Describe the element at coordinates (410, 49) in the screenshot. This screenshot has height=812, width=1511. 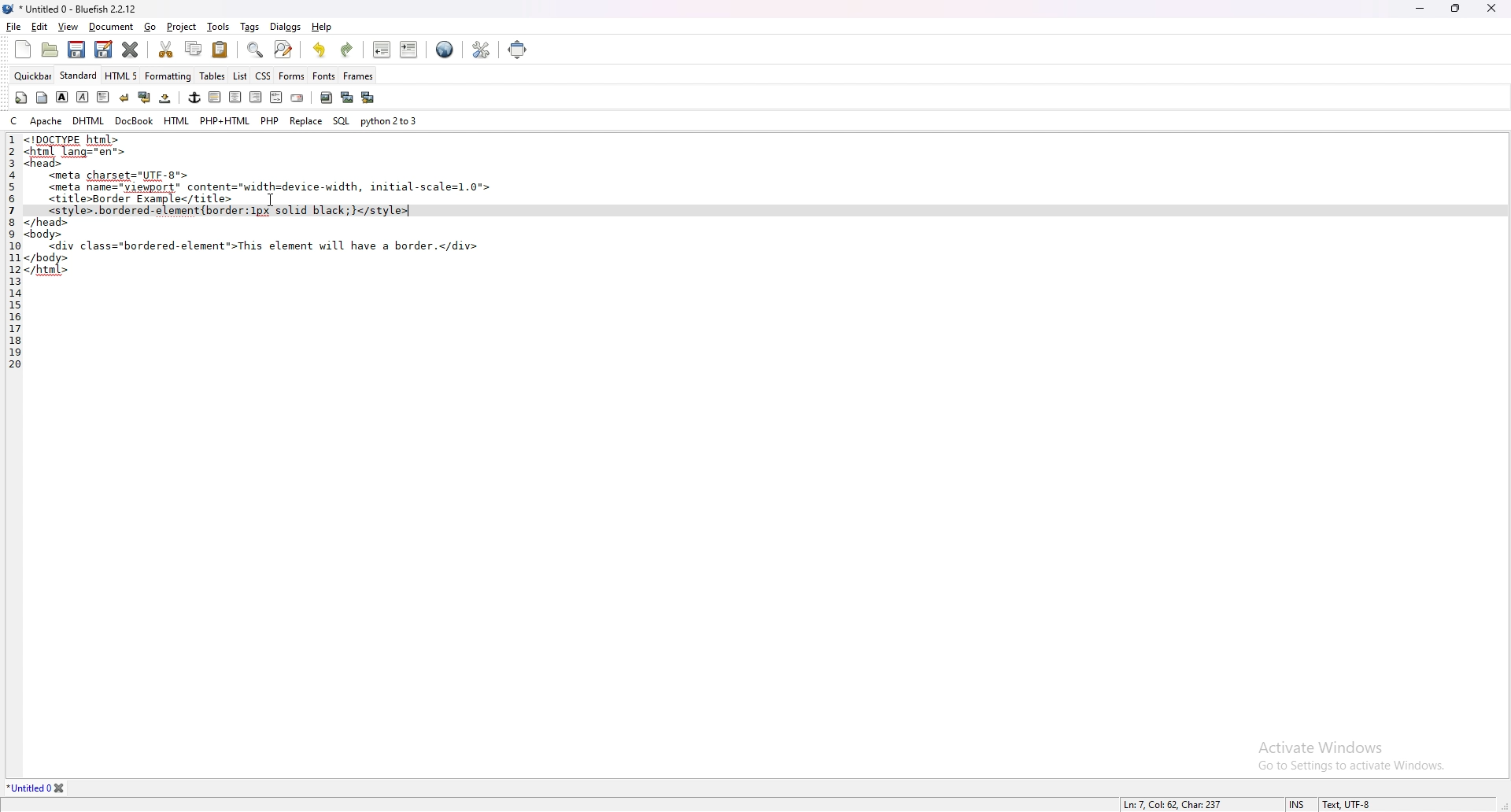
I see `indent` at that location.